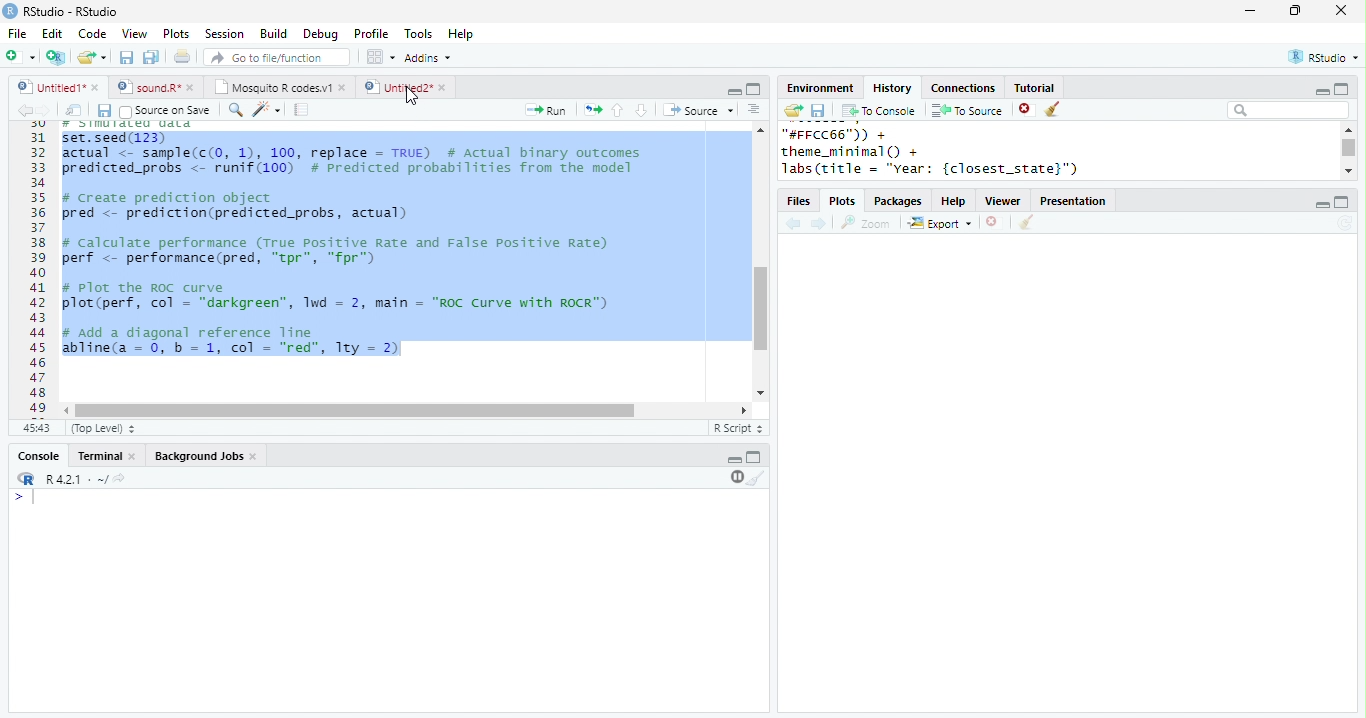  What do you see at coordinates (419, 34) in the screenshot?
I see `Tools` at bounding box center [419, 34].